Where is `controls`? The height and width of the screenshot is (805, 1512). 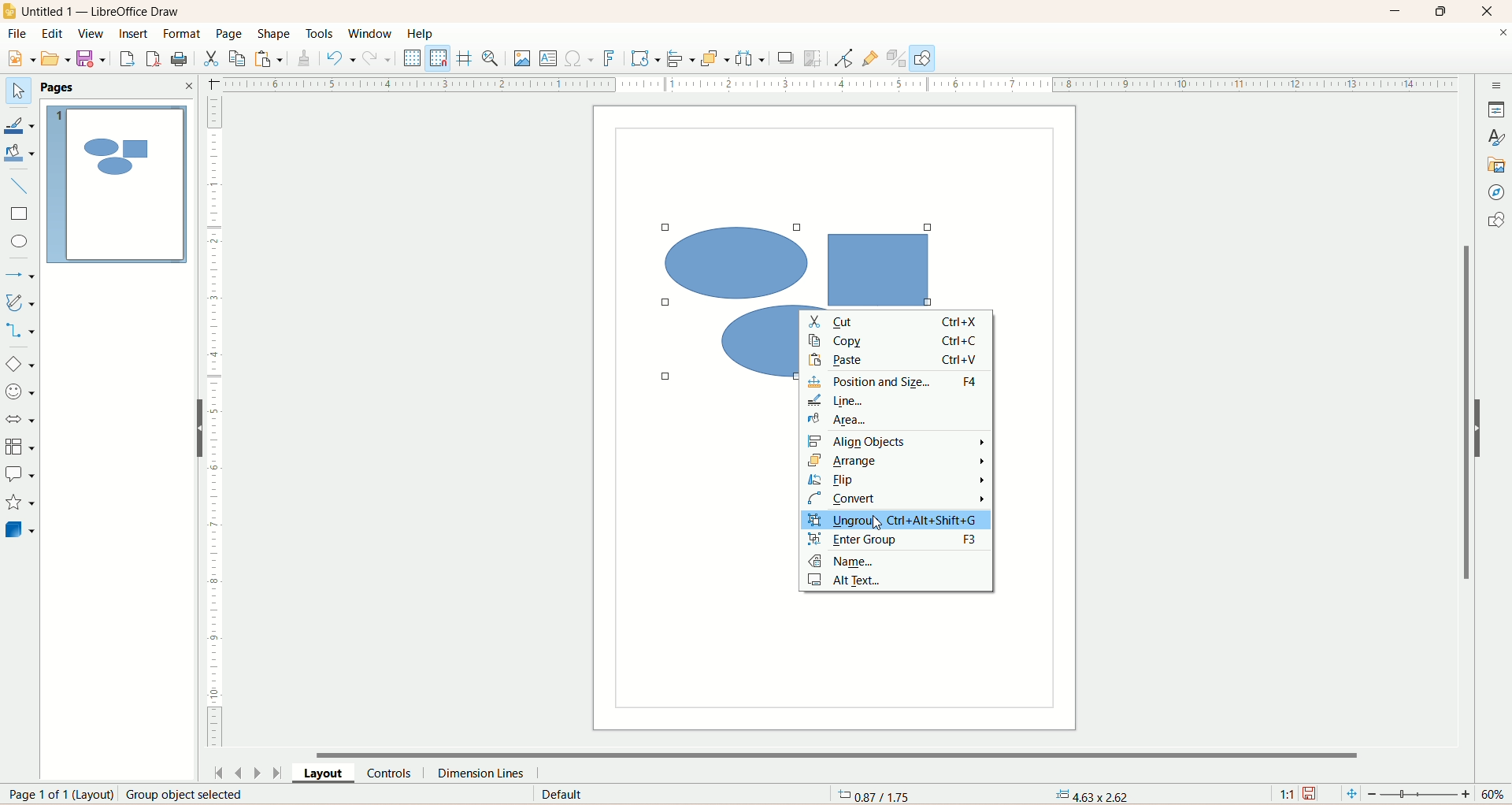 controls is located at coordinates (390, 773).